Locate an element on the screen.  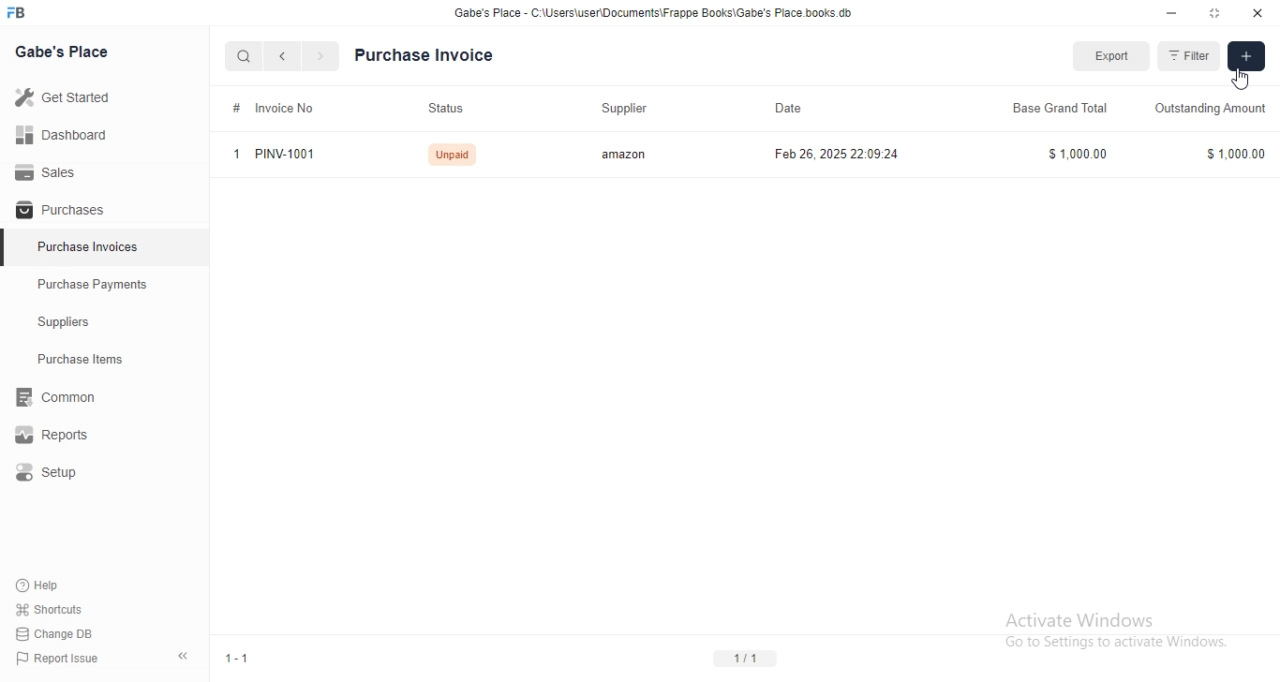
Change DB is located at coordinates (54, 634).